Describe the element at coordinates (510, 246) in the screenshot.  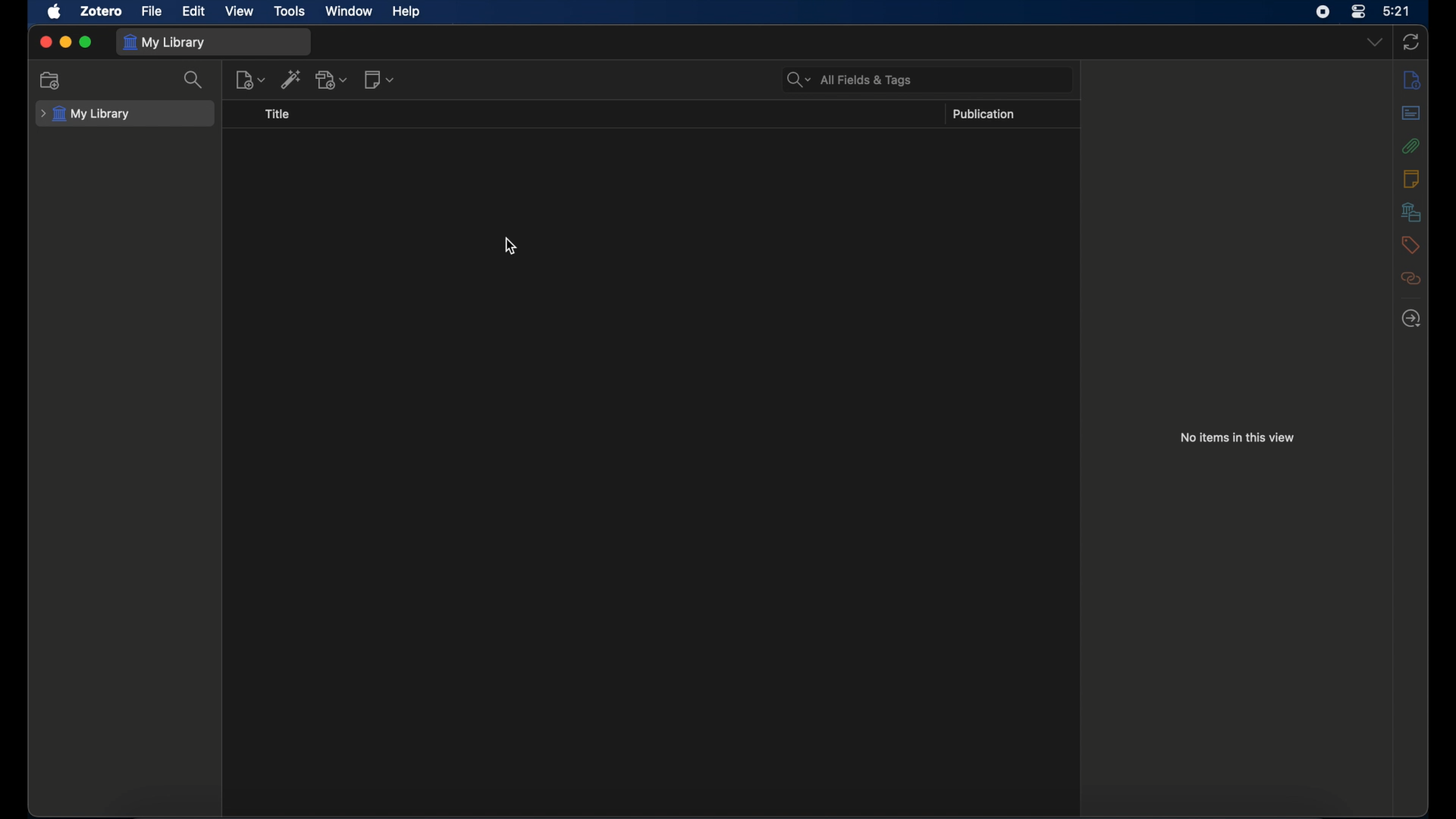
I see `cursor` at that location.